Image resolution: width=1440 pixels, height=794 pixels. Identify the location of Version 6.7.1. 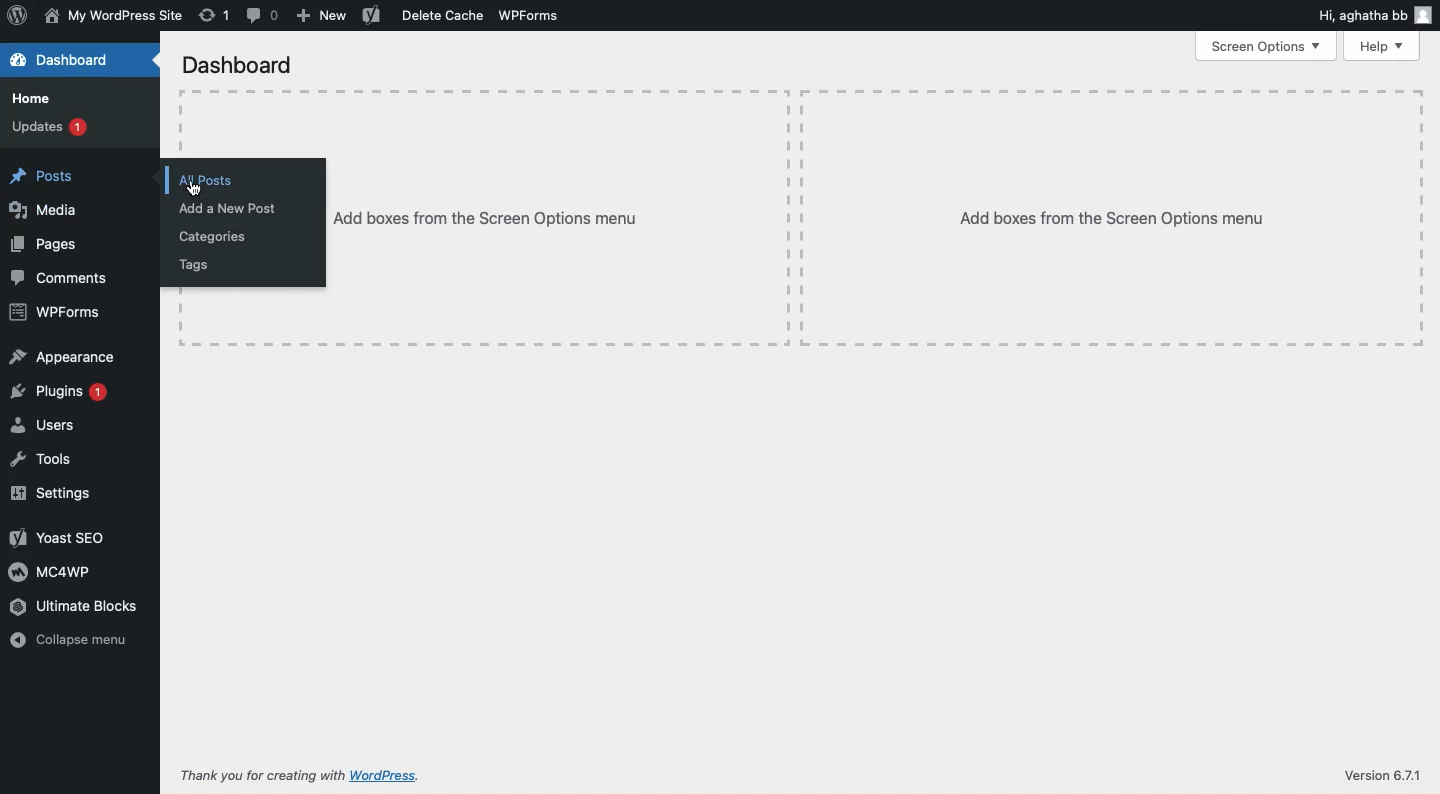
(1382, 772).